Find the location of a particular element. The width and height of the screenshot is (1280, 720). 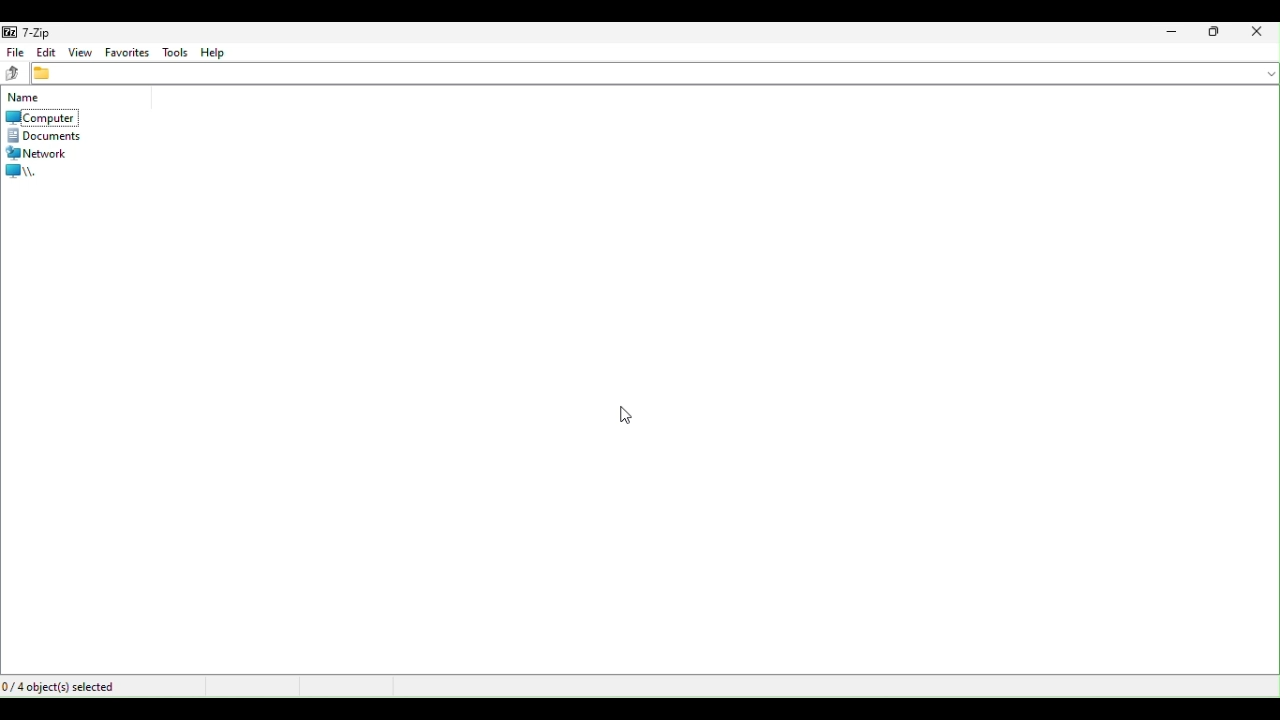

restore is located at coordinates (1217, 35).